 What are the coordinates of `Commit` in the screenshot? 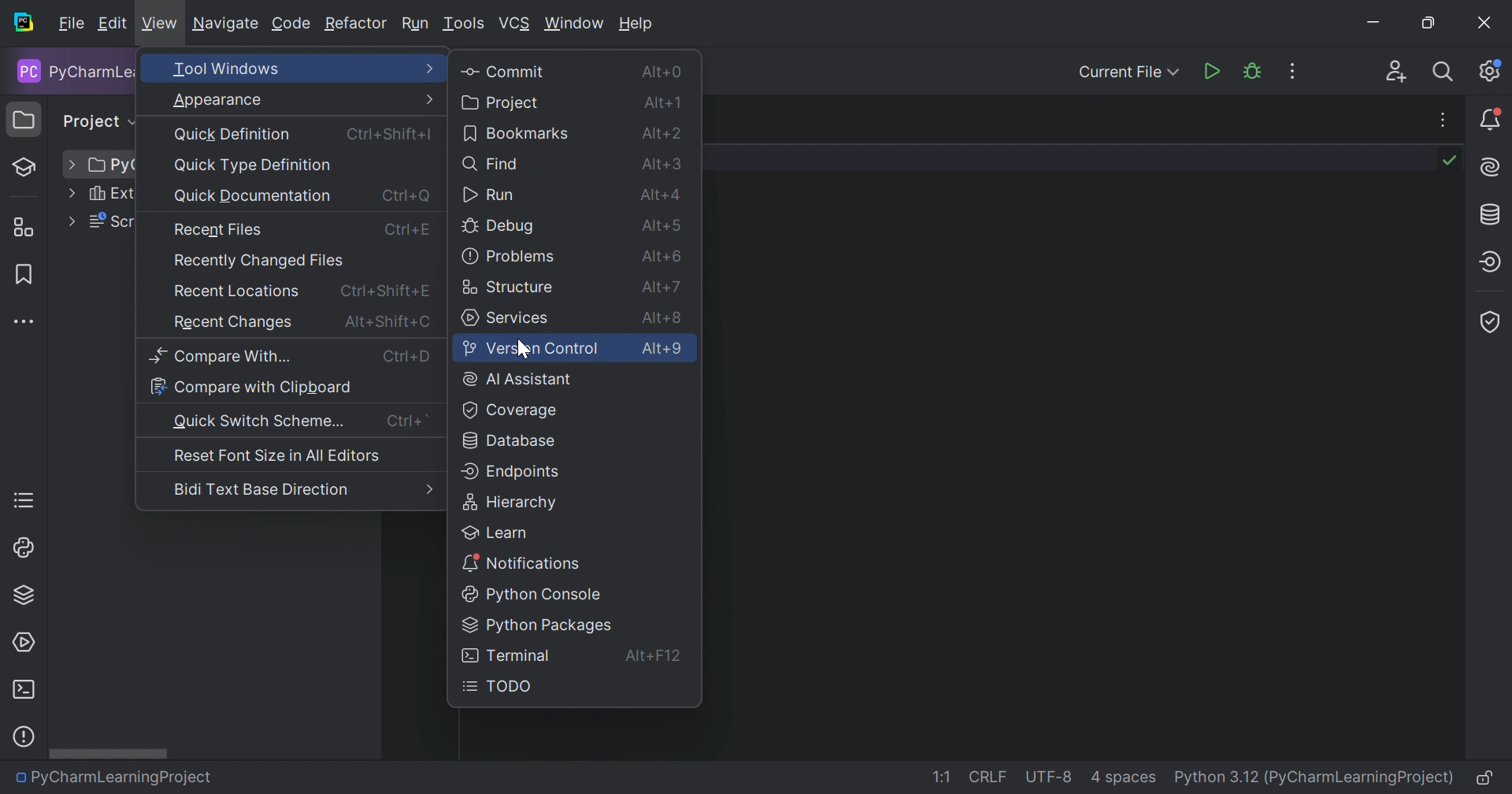 It's located at (502, 70).